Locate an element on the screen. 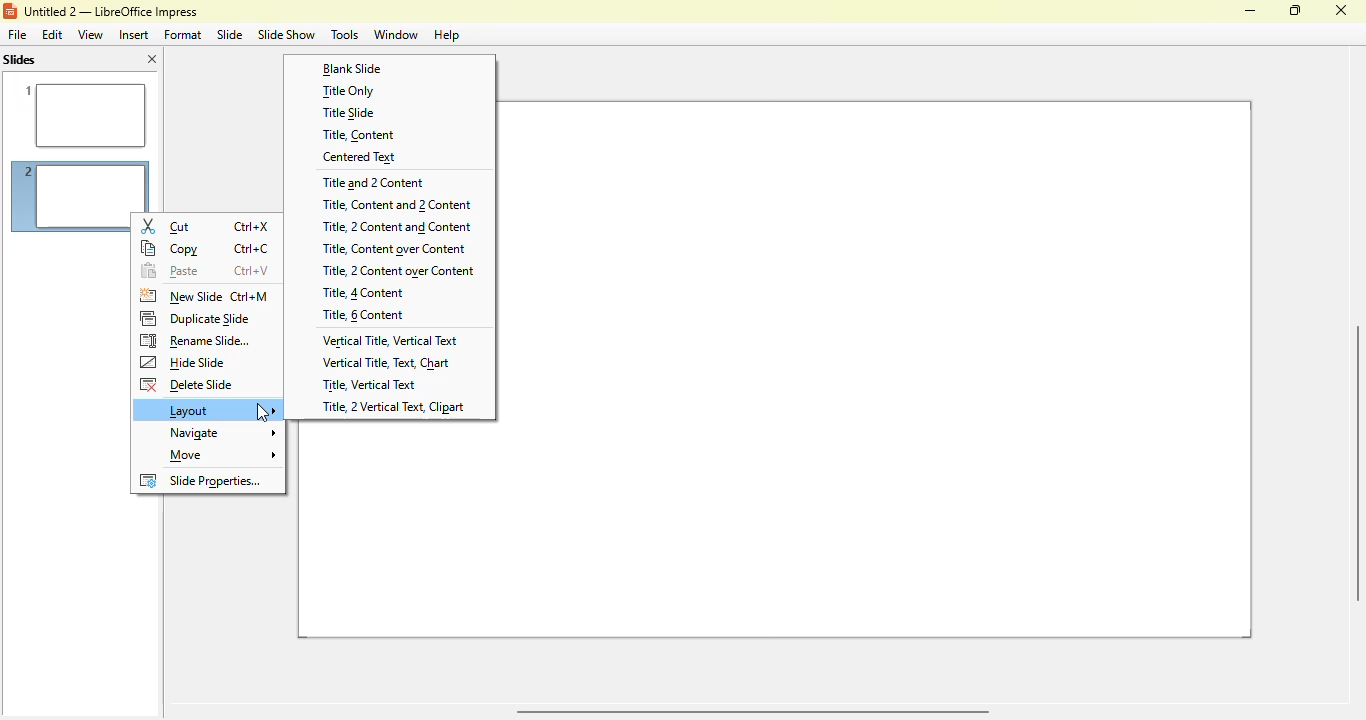 The width and height of the screenshot is (1366, 720). title only is located at coordinates (349, 92).